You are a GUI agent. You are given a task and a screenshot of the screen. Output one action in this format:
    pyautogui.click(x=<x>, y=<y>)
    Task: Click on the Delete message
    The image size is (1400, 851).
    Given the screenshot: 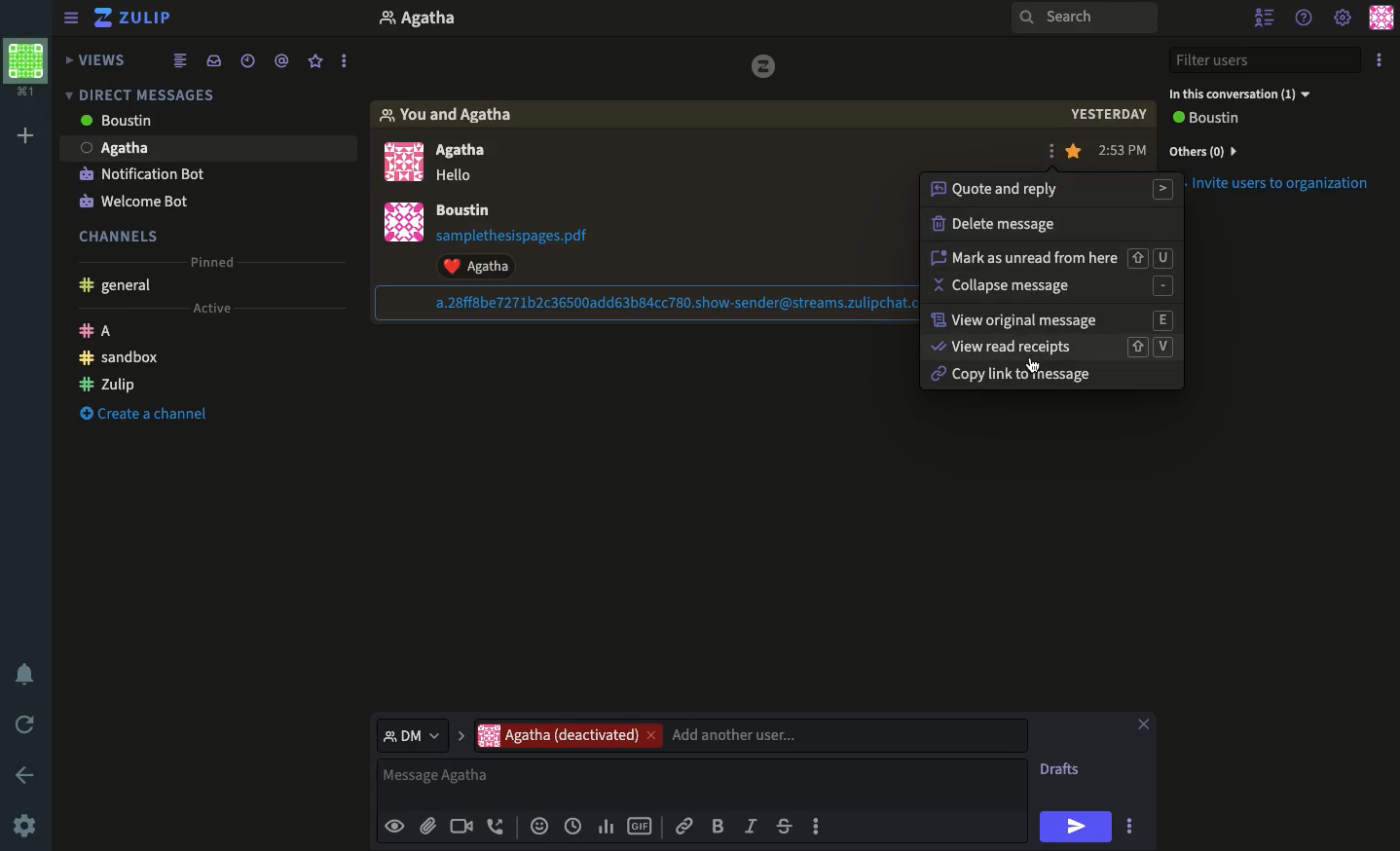 What is the action you would take?
    pyautogui.click(x=994, y=226)
    